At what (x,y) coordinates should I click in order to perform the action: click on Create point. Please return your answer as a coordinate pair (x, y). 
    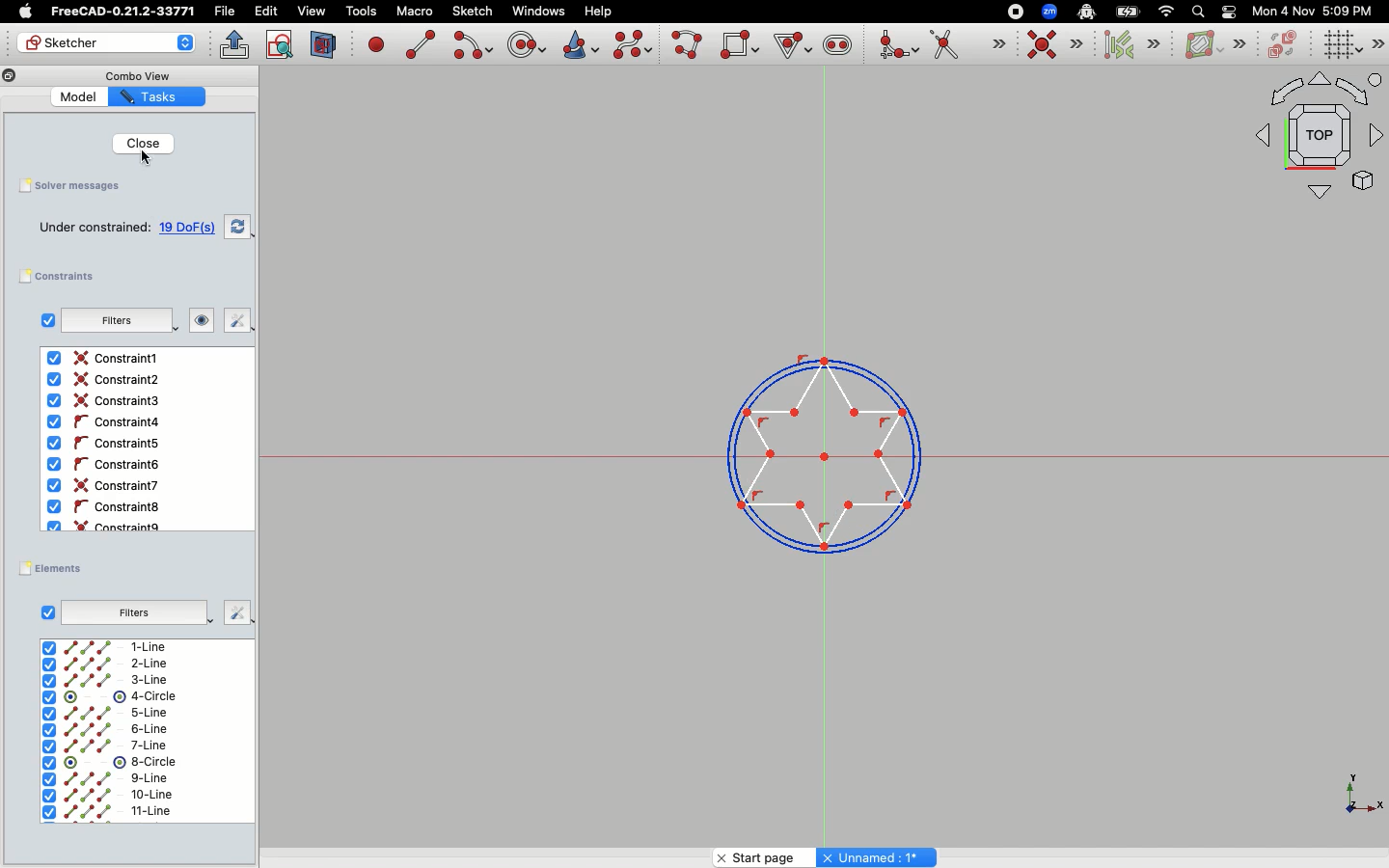
    Looking at the image, I should click on (377, 43).